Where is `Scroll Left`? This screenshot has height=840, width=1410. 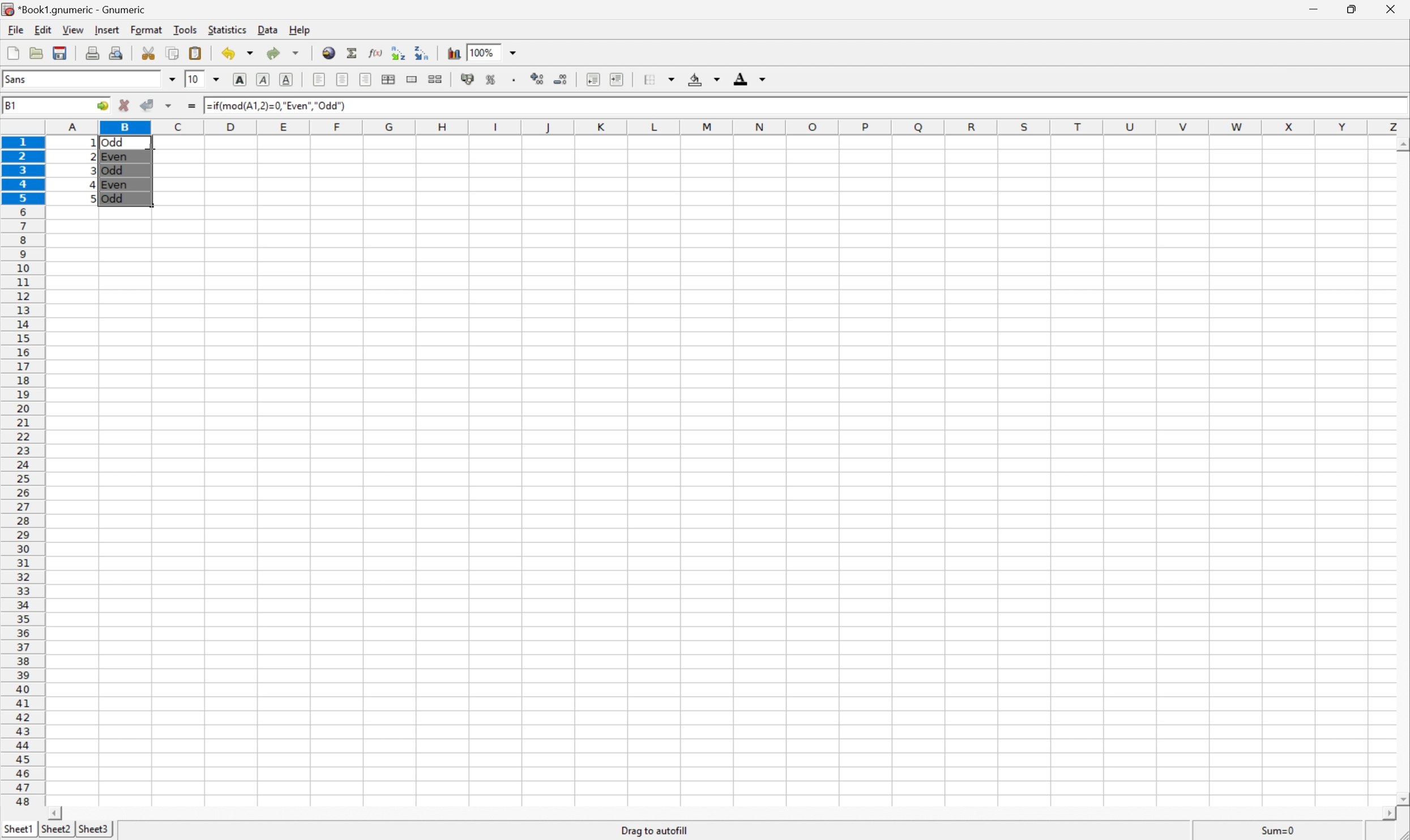
Scroll Left is located at coordinates (59, 812).